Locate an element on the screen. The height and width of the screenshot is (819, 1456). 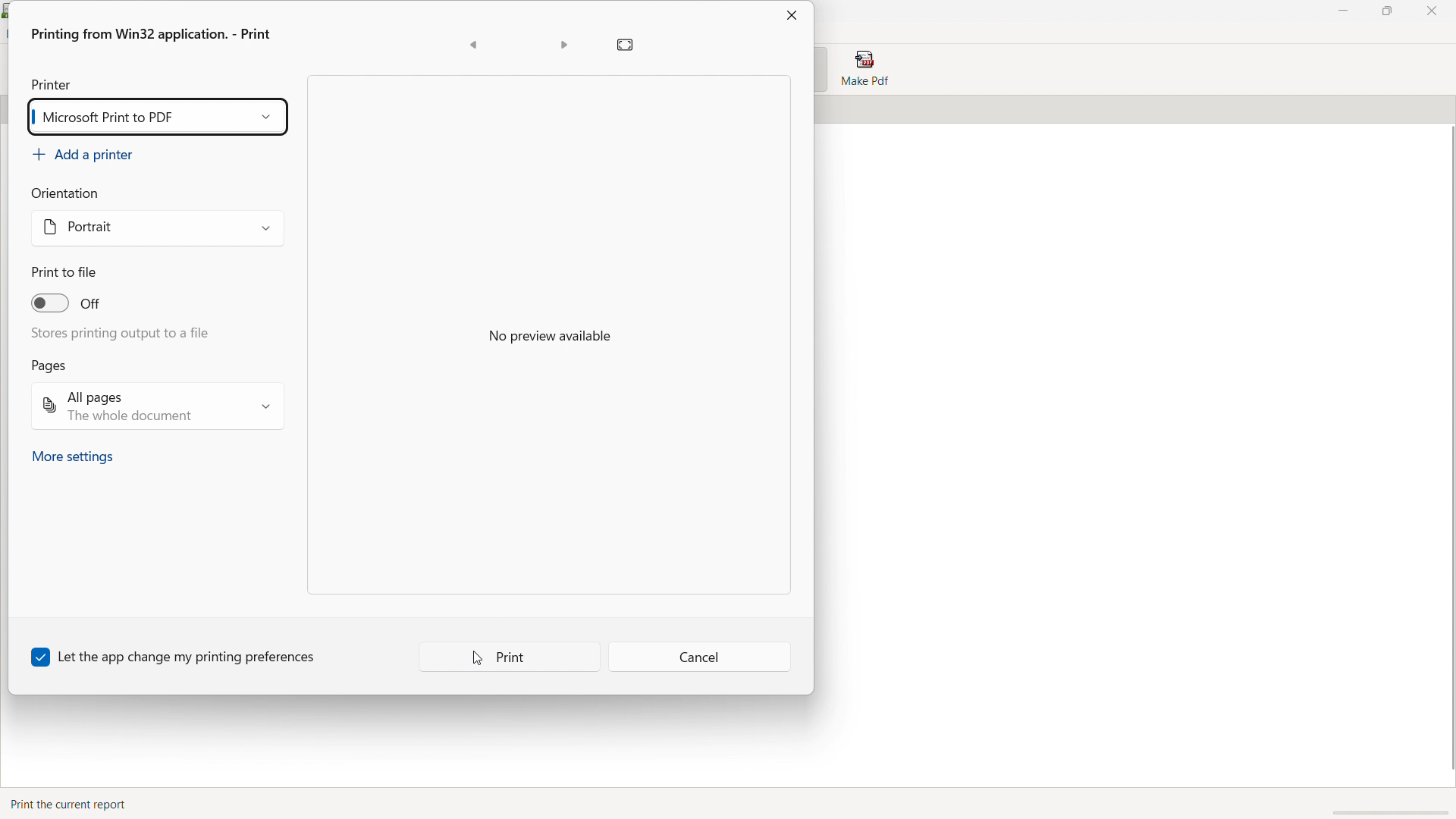
print is located at coordinates (510, 657).